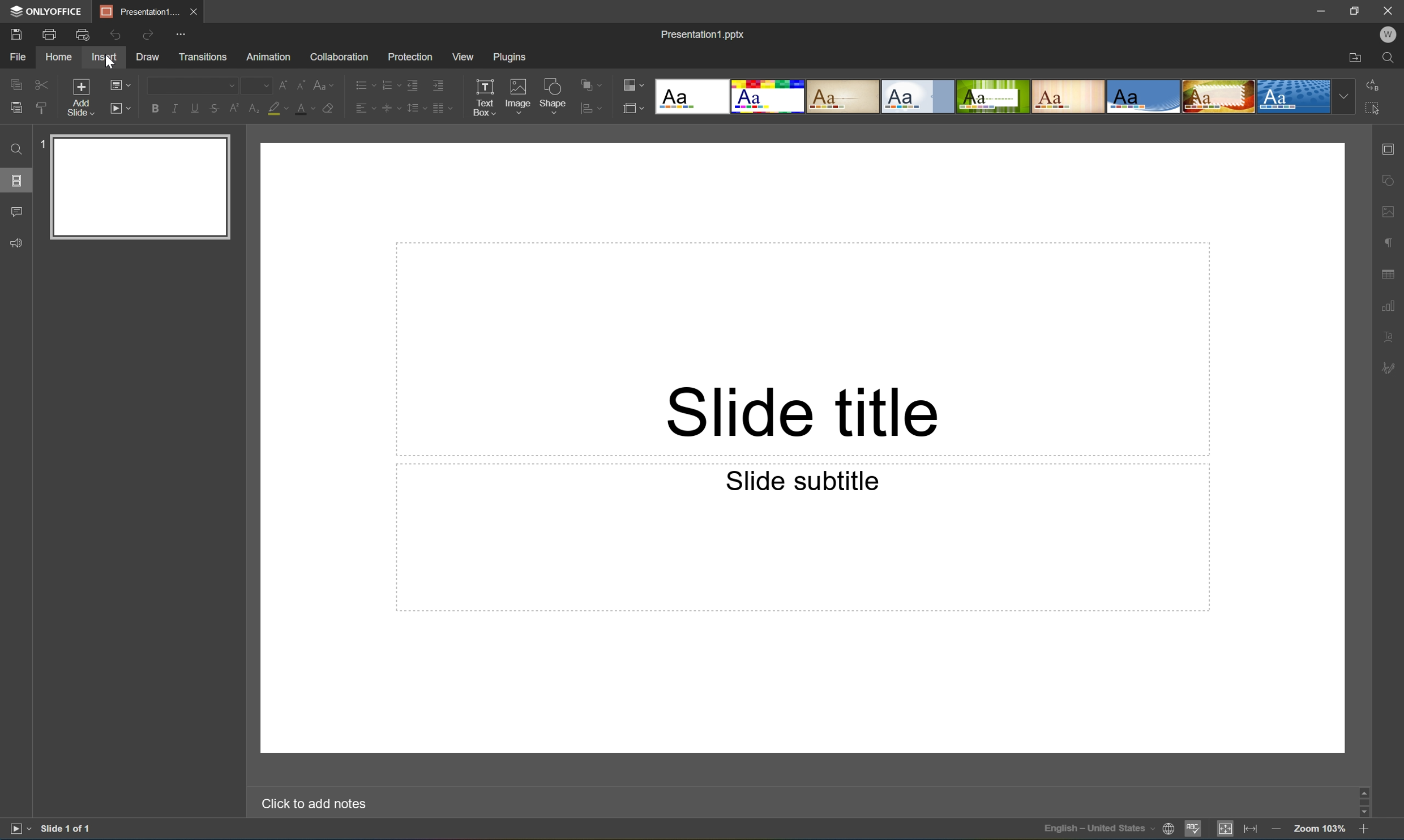 This screenshot has width=1404, height=840. I want to click on Decrement font size, so click(301, 83).